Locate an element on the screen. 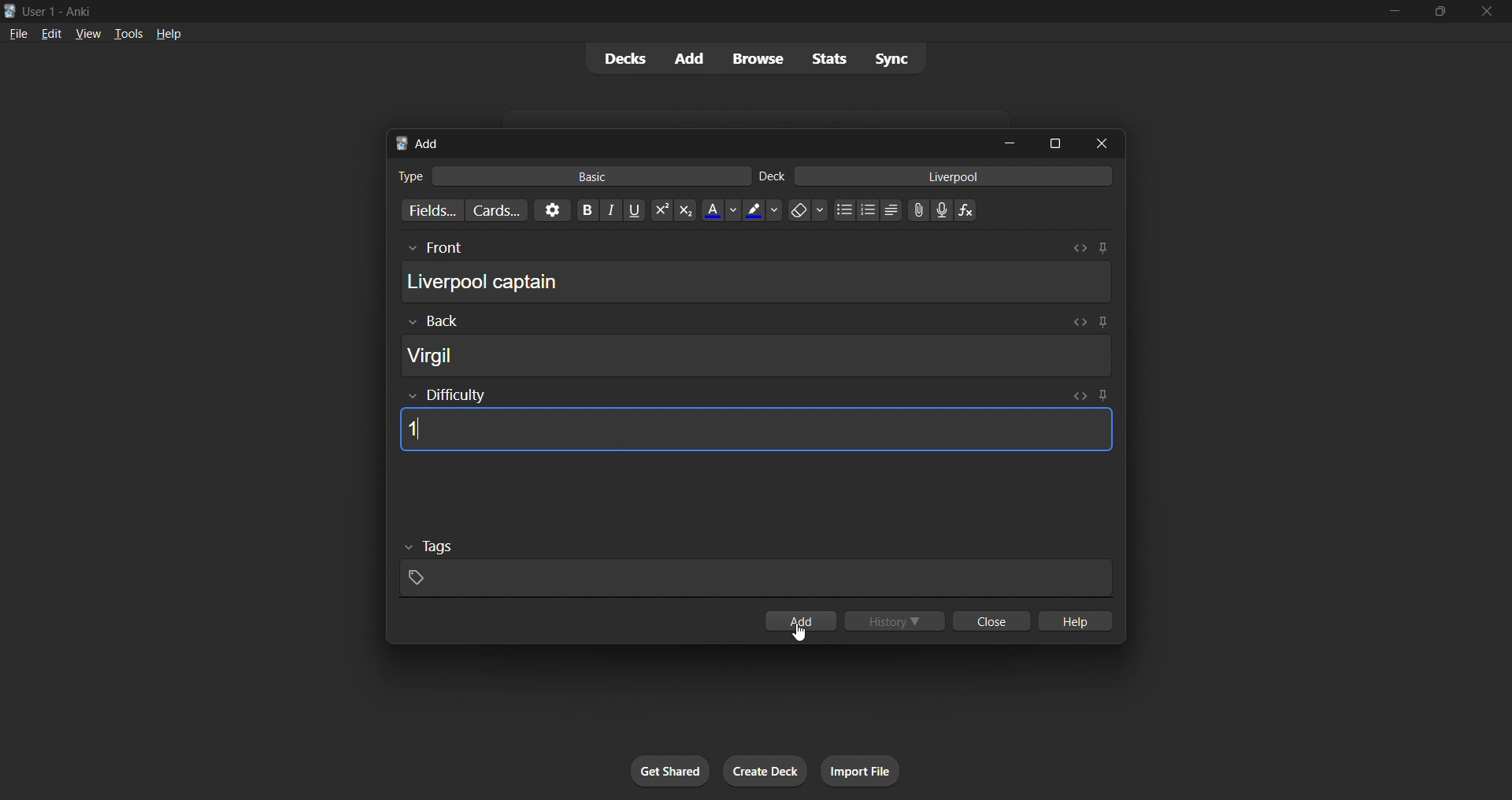 This screenshot has height=800, width=1512.  is located at coordinates (434, 249).